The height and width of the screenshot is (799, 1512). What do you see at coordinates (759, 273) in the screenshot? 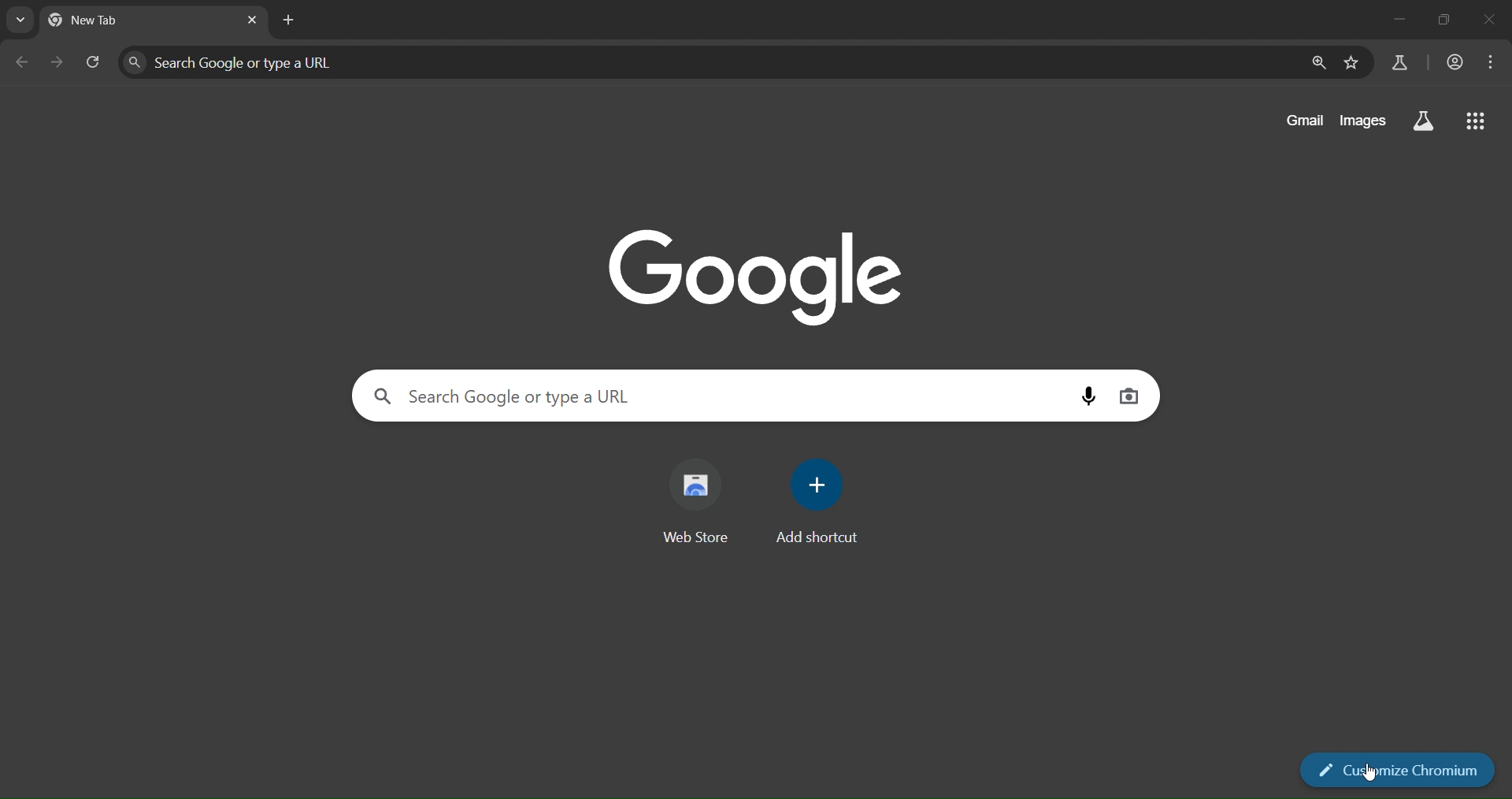
I see `Google logo` at bounding box center [759, 273].